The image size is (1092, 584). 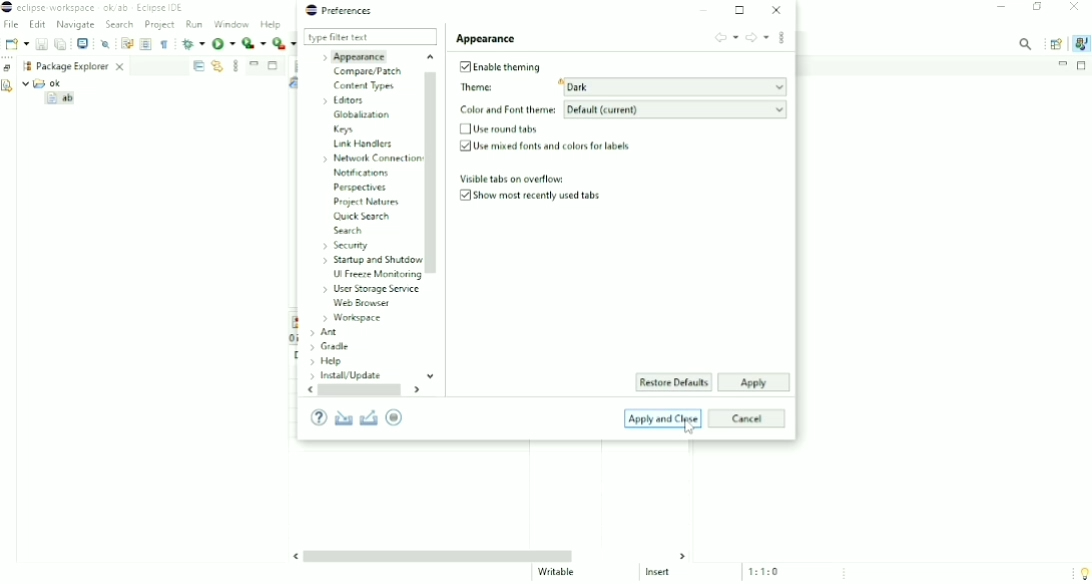 What do you see at coordinates (770, 571) in the screenshot?
I see `1:1:0` at bounding box center [770, 571].